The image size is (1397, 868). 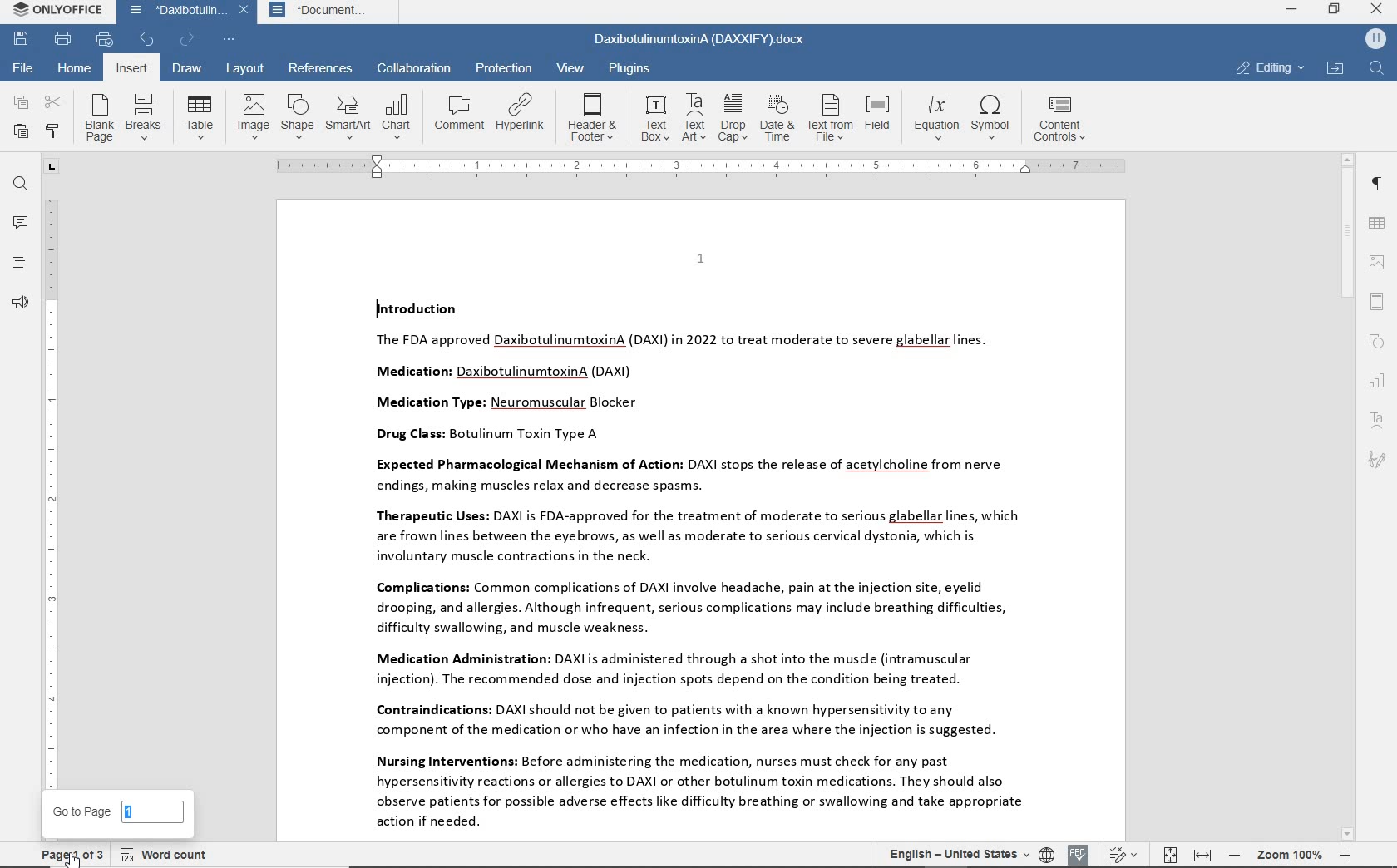 I want to click on support & feedback, so click(x=21, y=302).